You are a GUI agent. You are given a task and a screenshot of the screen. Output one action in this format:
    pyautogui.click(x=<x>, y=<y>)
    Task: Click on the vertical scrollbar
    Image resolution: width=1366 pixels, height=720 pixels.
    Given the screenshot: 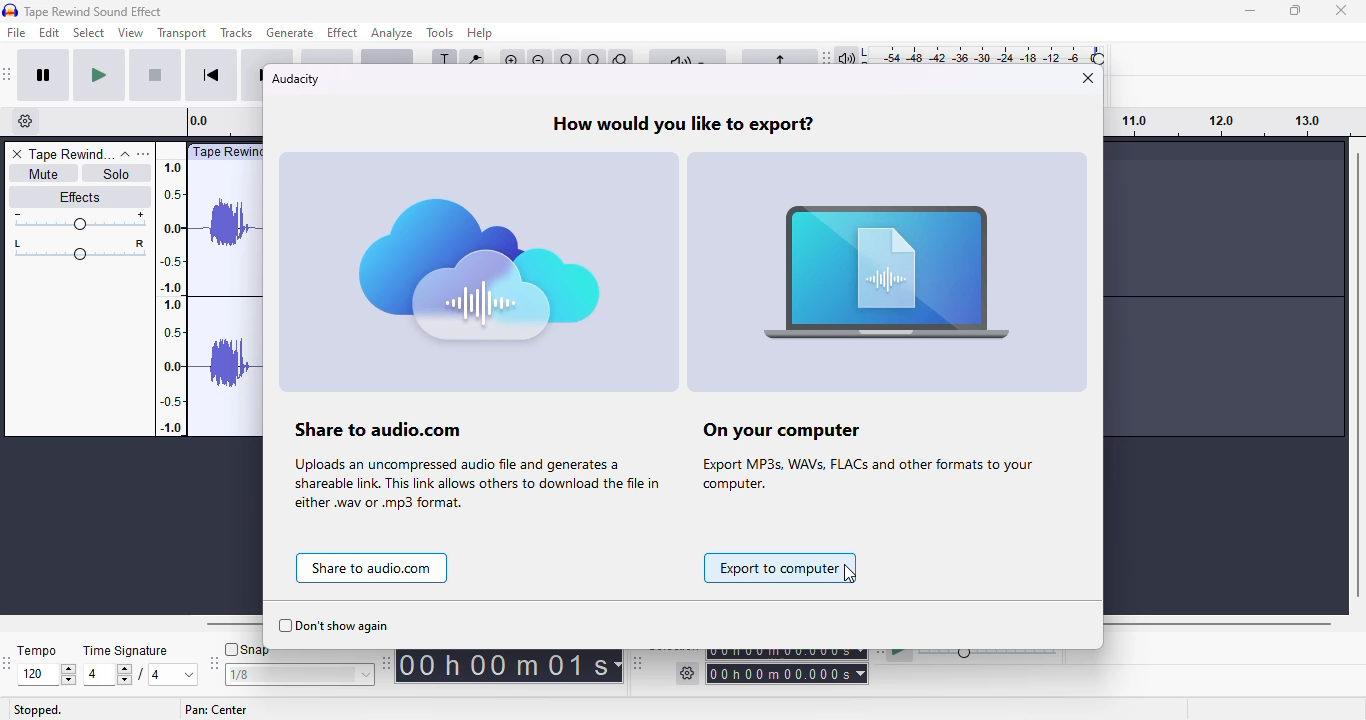 What is the action you would take?
    pyautogui.click(x=1357, y=374)
    